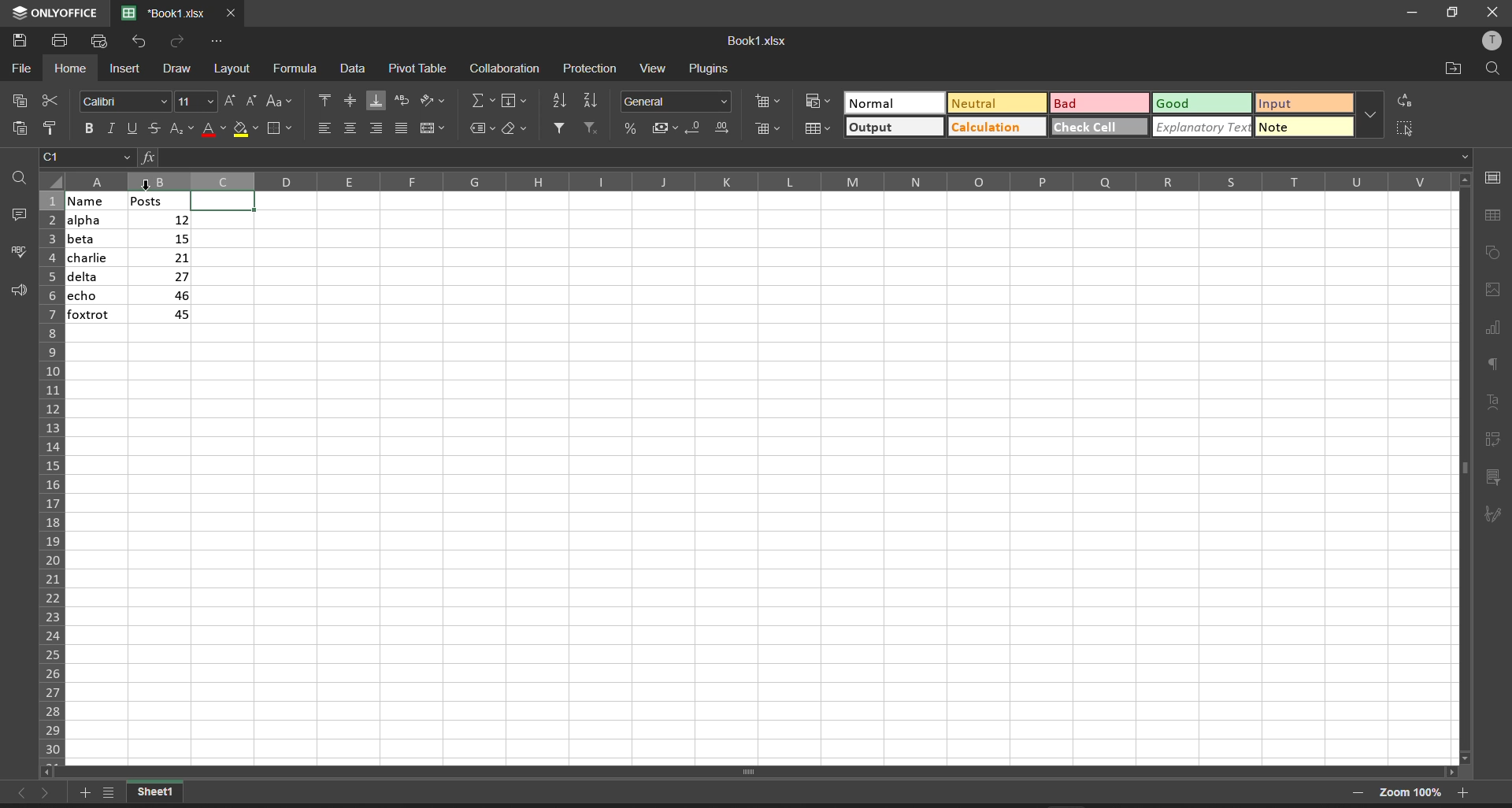 Image resolution: width=1512 pixels, height=808 pixels. Describe the element at coordinates (476, 101) in the screenshot. I see `summation` at that location.